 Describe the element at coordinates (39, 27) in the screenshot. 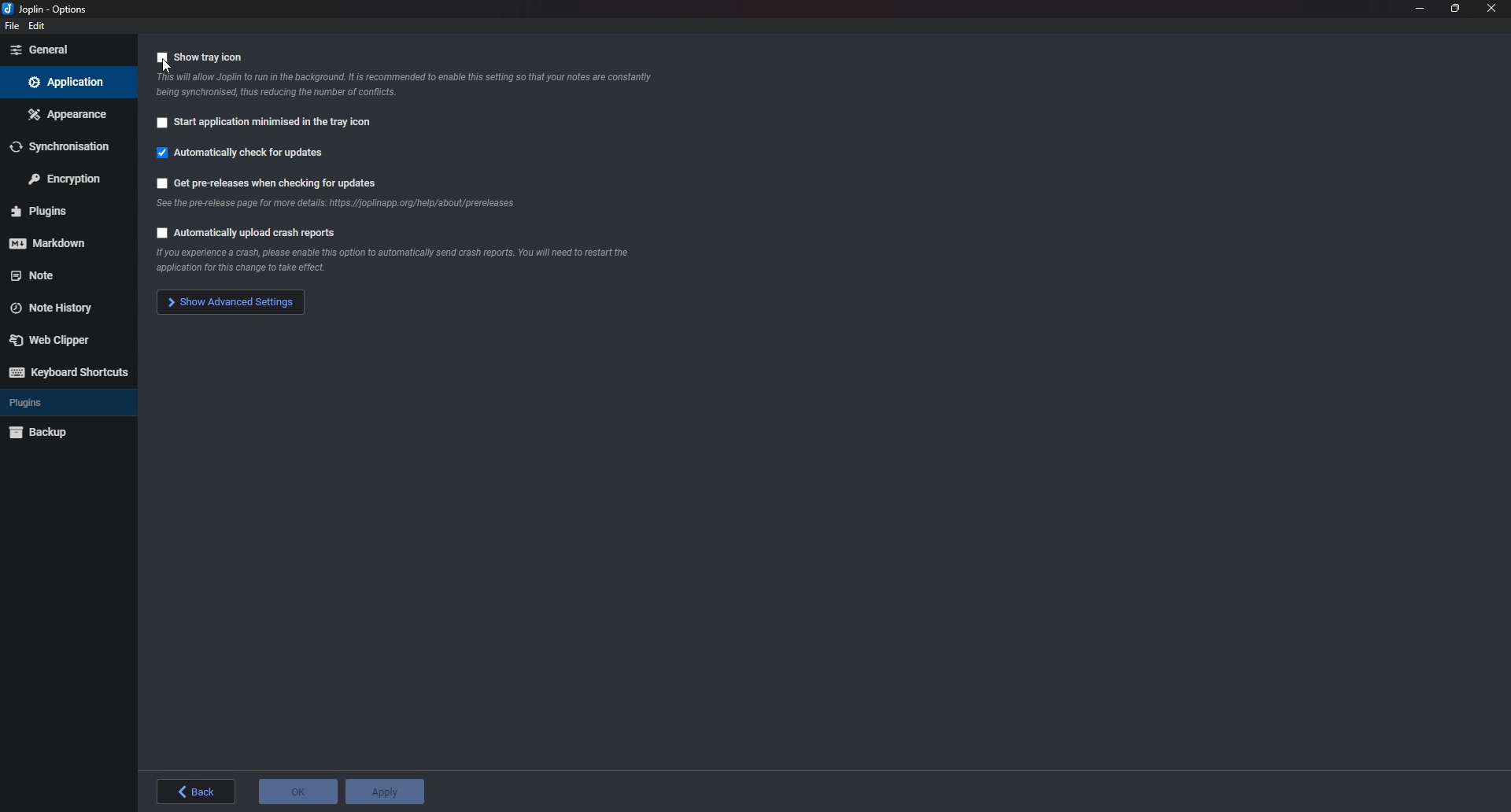

I see `edit` at that location.